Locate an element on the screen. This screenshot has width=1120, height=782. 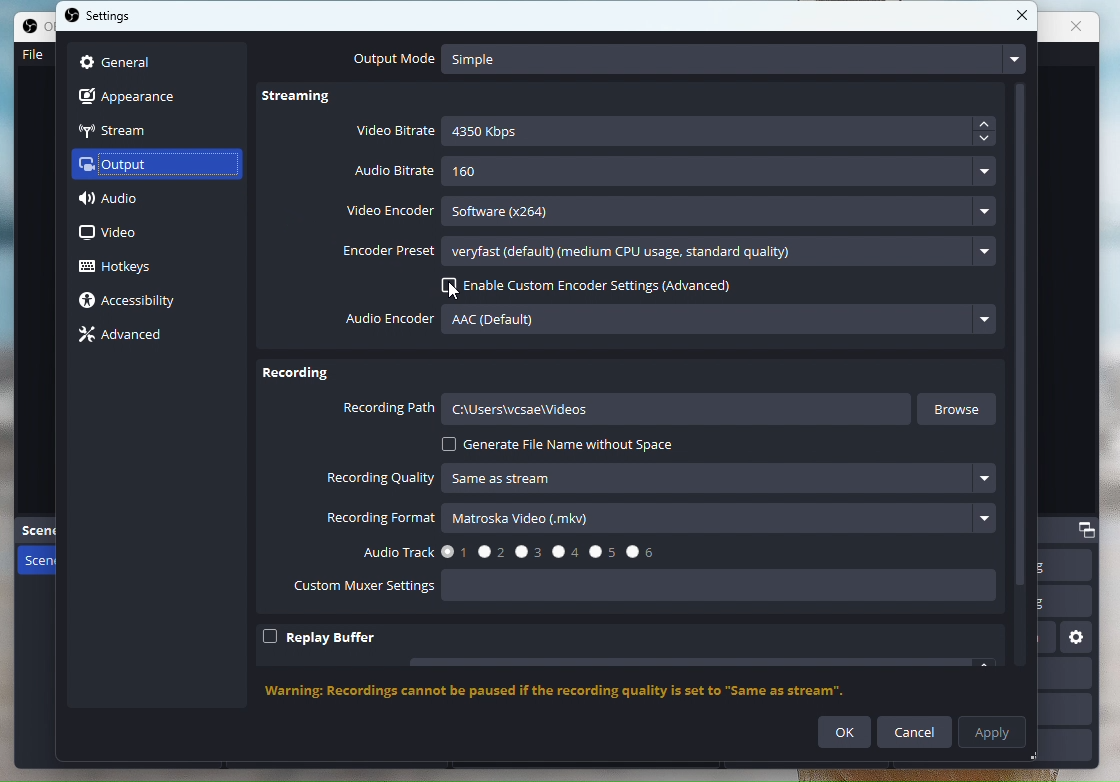
Generate file name without space is located at coordinates (557, 446).